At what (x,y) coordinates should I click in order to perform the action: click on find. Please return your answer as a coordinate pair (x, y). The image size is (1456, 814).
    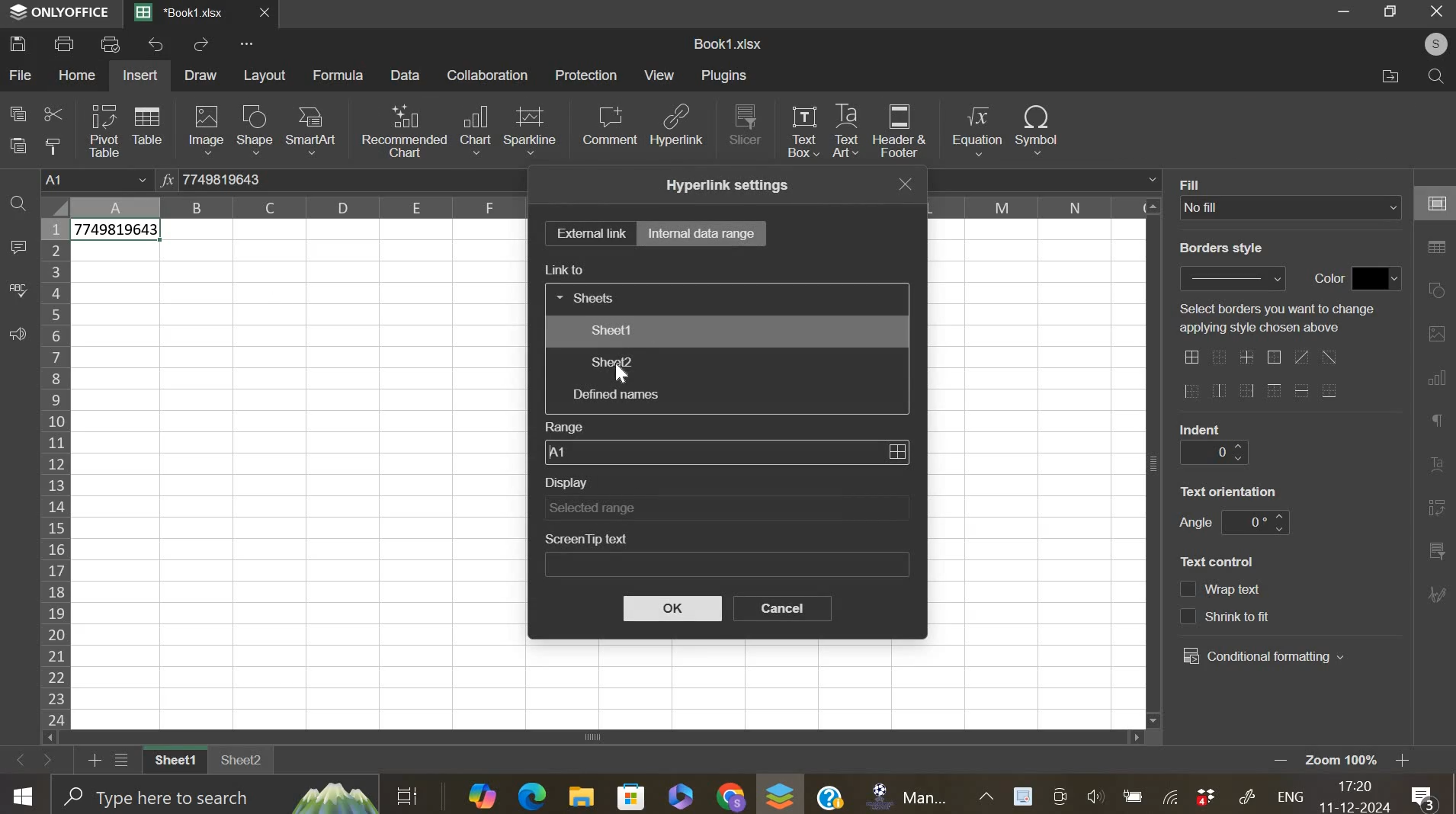
    Looking at the image, I should click on (18, 206).